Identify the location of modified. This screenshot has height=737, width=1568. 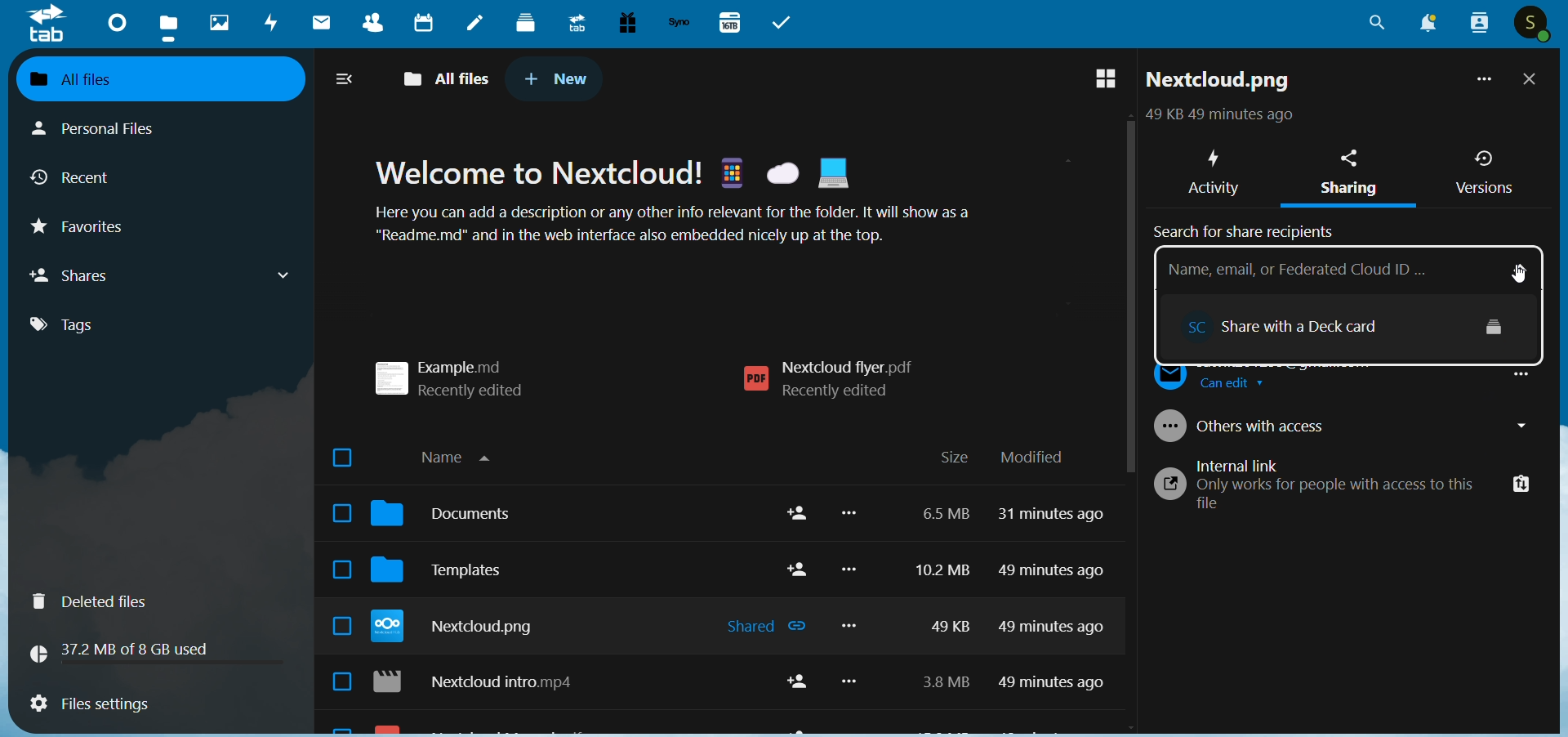
(1032, 458).